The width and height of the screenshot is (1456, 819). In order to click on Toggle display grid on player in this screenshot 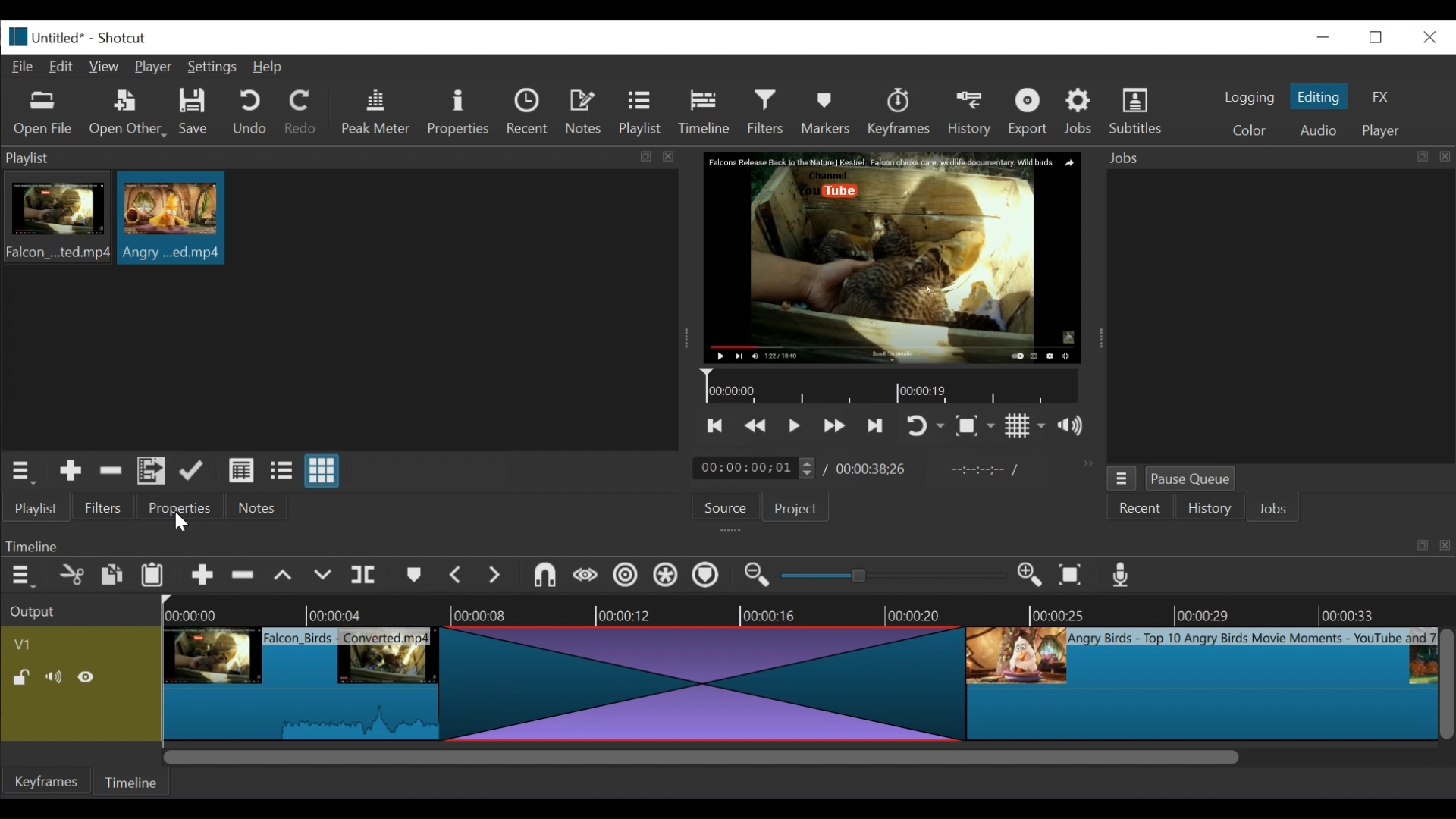, I will do `click(1025, 425)`.